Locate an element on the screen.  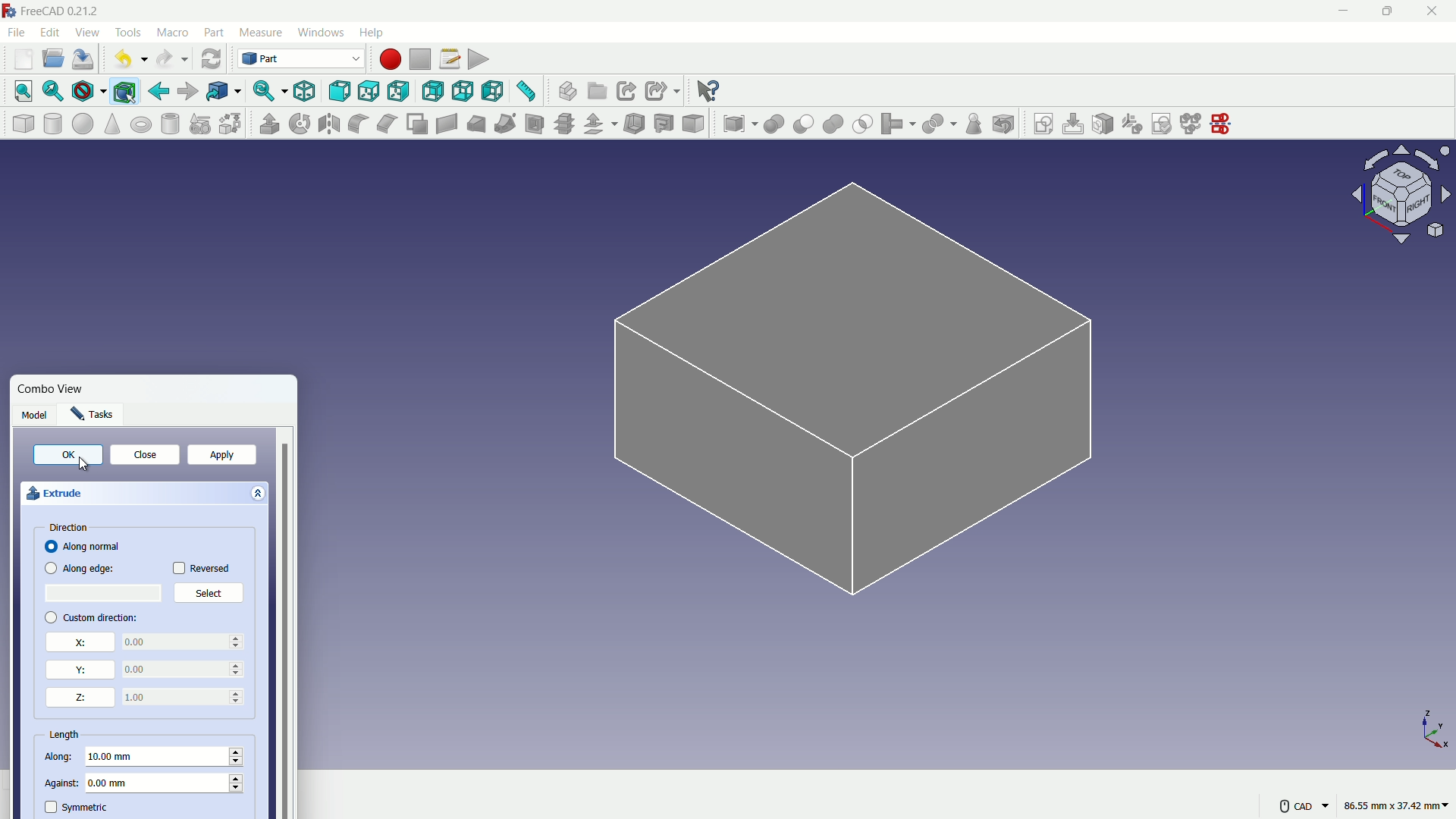
Tasks is located at coordinates (91, 413).